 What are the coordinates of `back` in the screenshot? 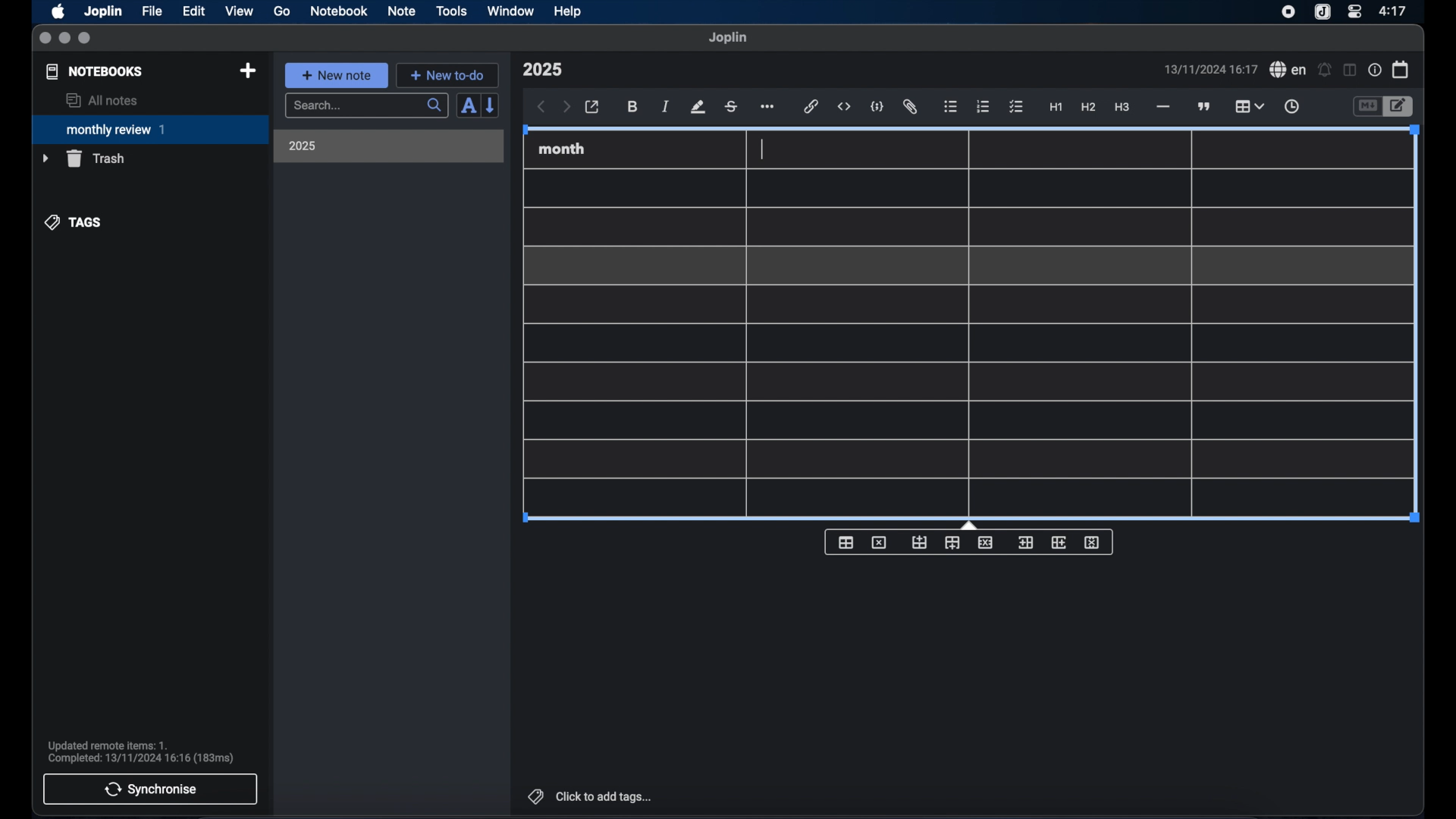 It's located at (541, 107).